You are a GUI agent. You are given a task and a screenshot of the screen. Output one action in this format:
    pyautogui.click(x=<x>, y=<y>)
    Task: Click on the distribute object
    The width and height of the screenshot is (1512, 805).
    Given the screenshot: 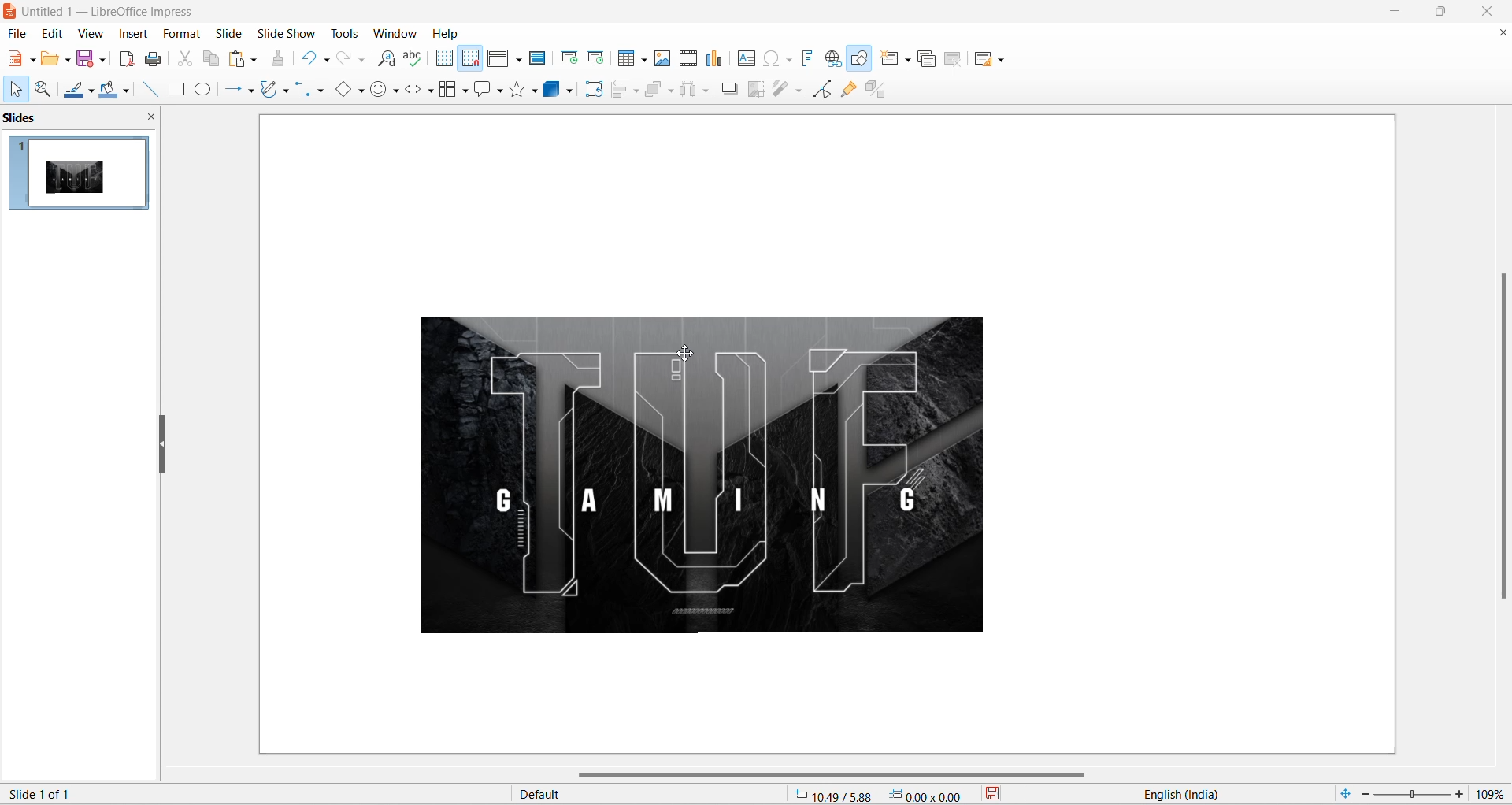 What is the action you would take?
    pyautogui.click(x=710, y=92)
    